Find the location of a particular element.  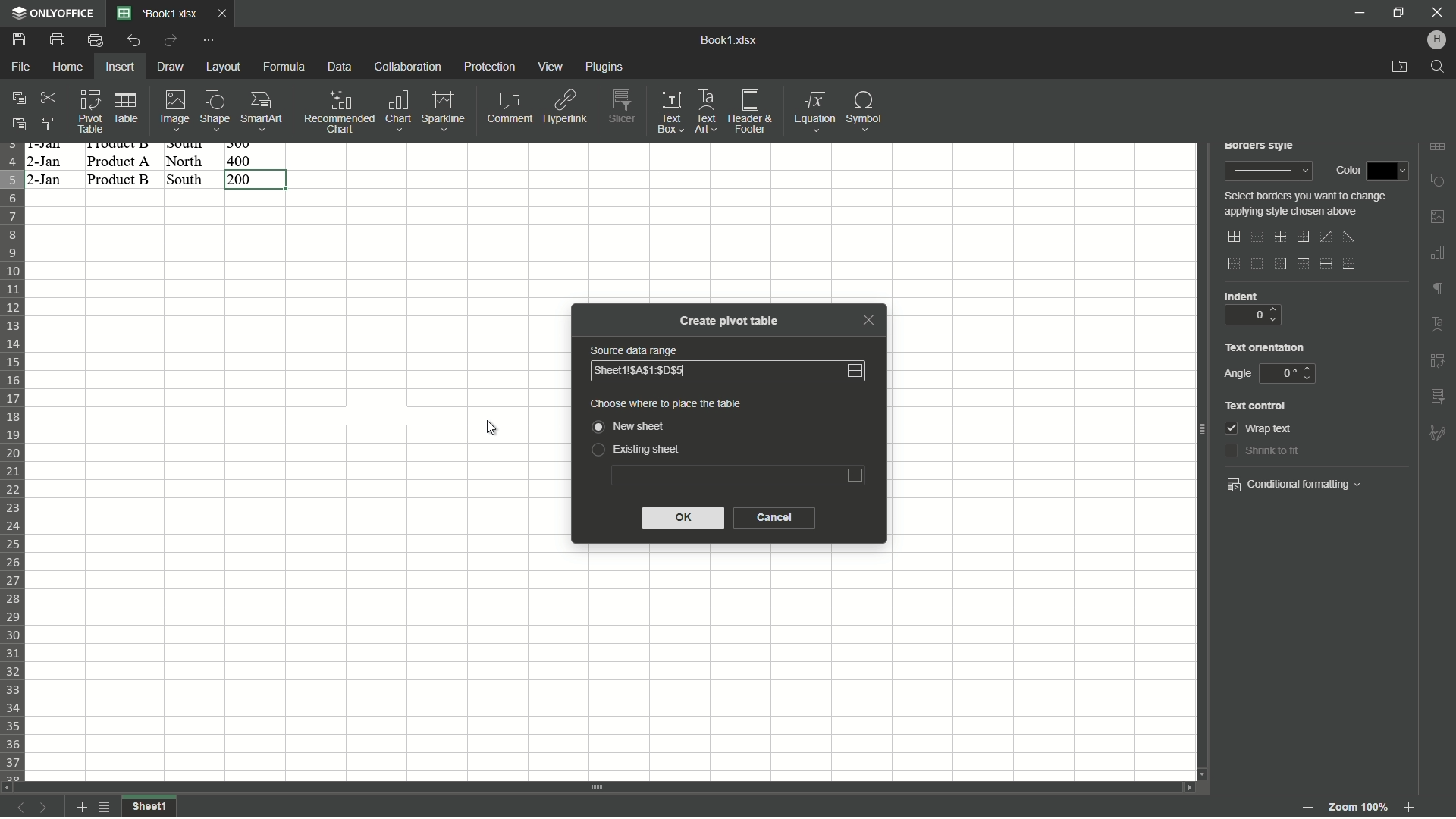

cancel is located at coordinates (778, 517).